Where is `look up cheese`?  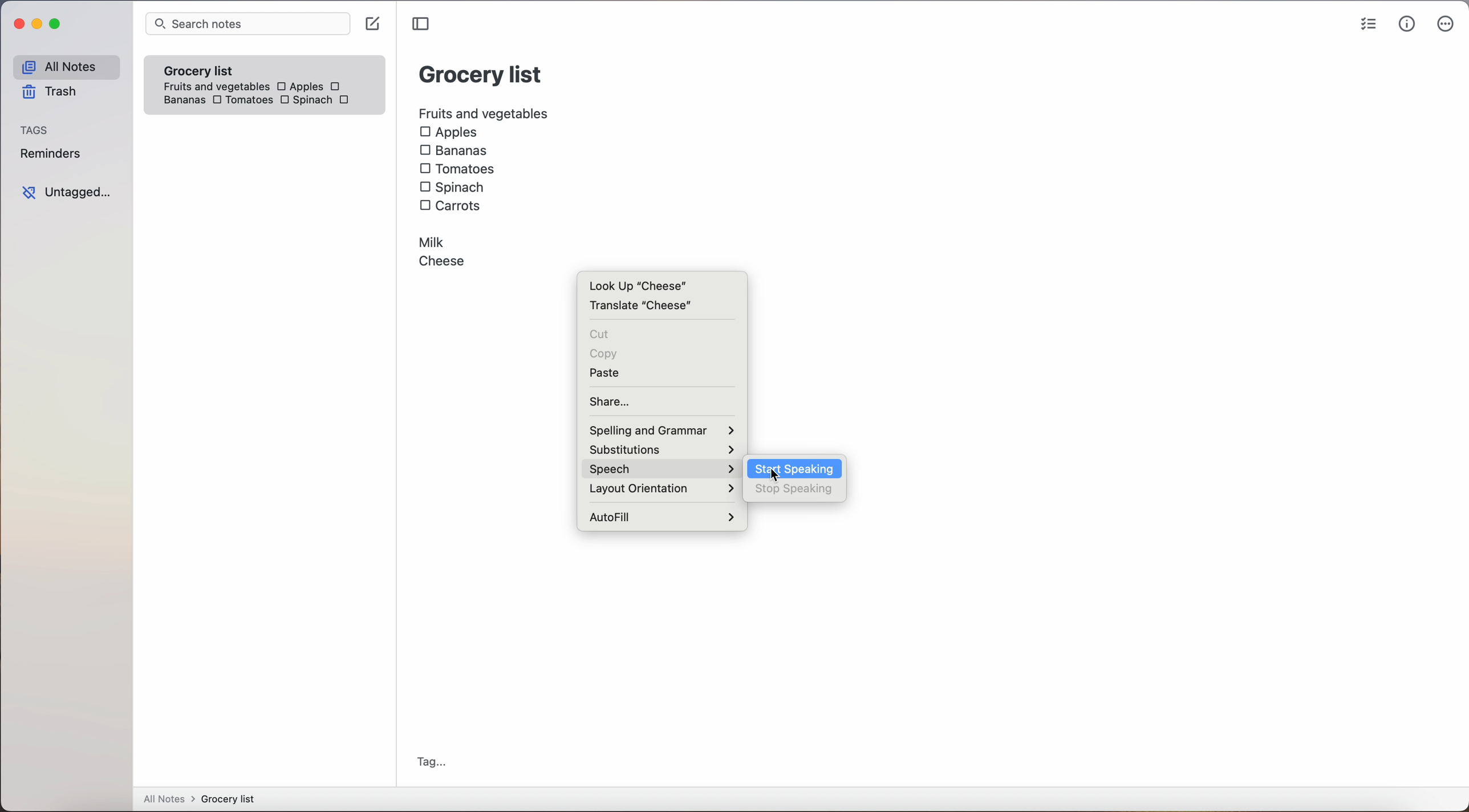
look up cheese is located at coordinates (637, 285).